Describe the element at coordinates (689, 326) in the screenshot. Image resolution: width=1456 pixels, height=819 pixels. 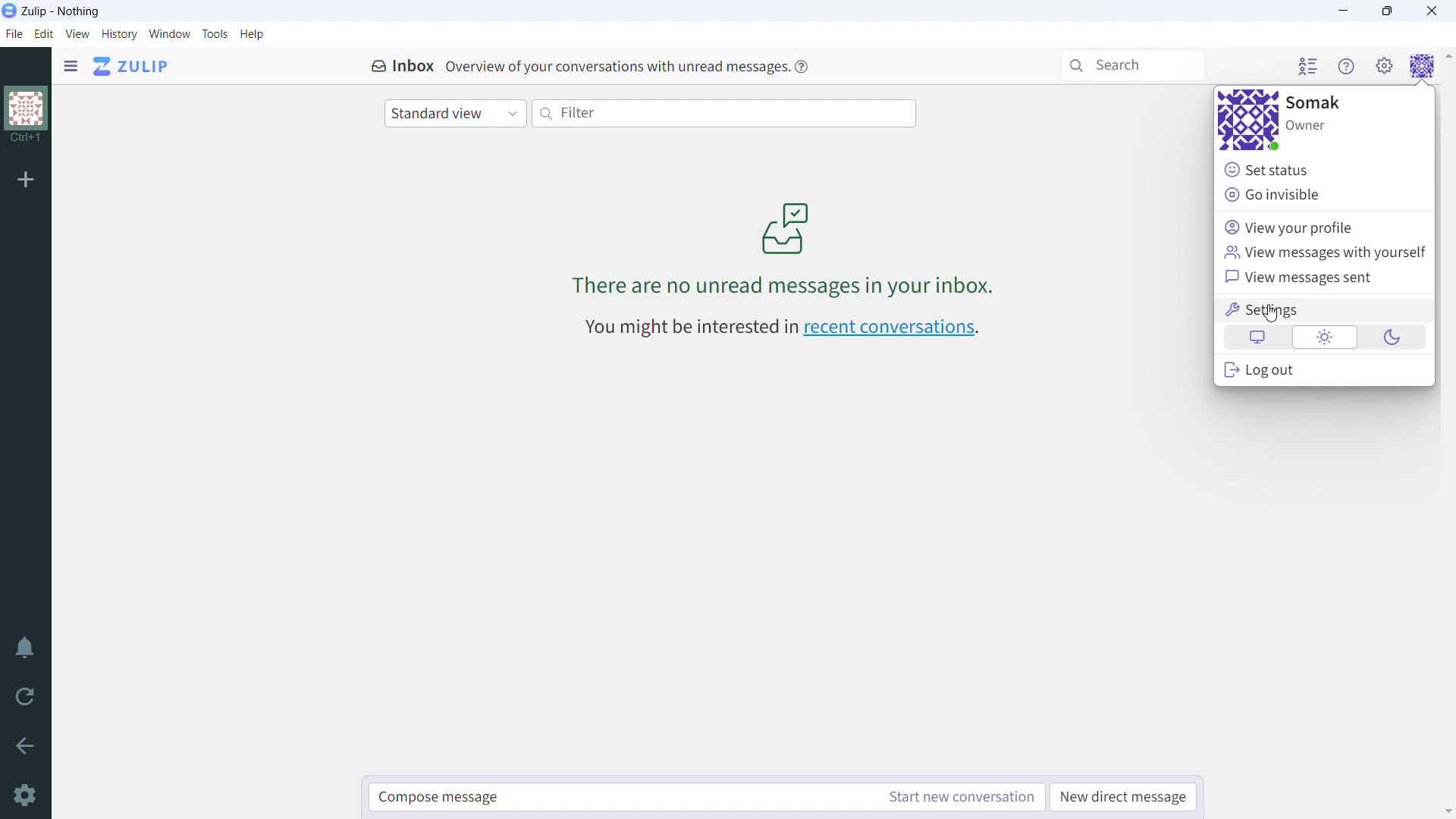
I see `You might be interested ir` at that location.